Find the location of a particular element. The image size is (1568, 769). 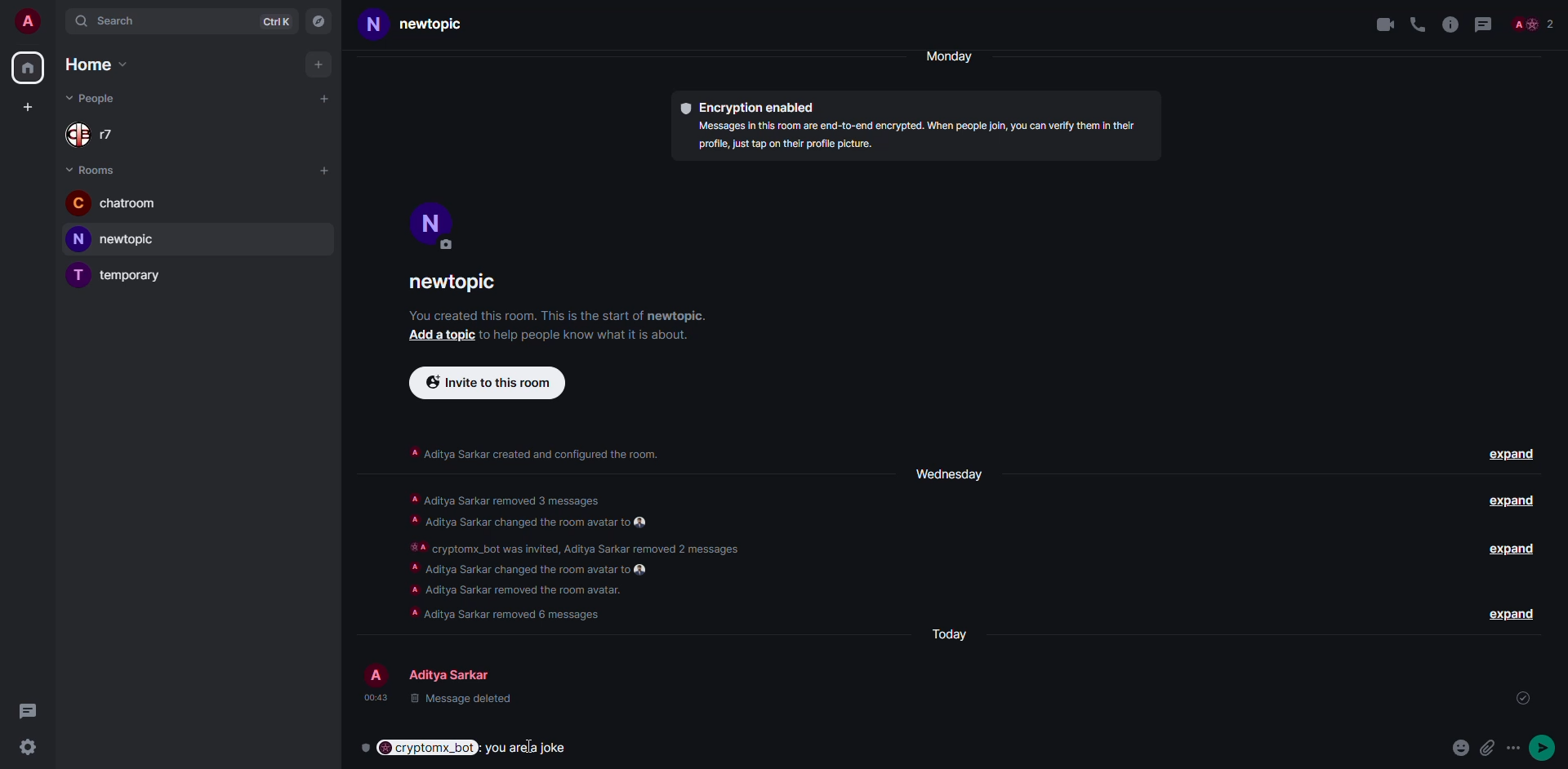

expand is located at coordinates (1514, 552).